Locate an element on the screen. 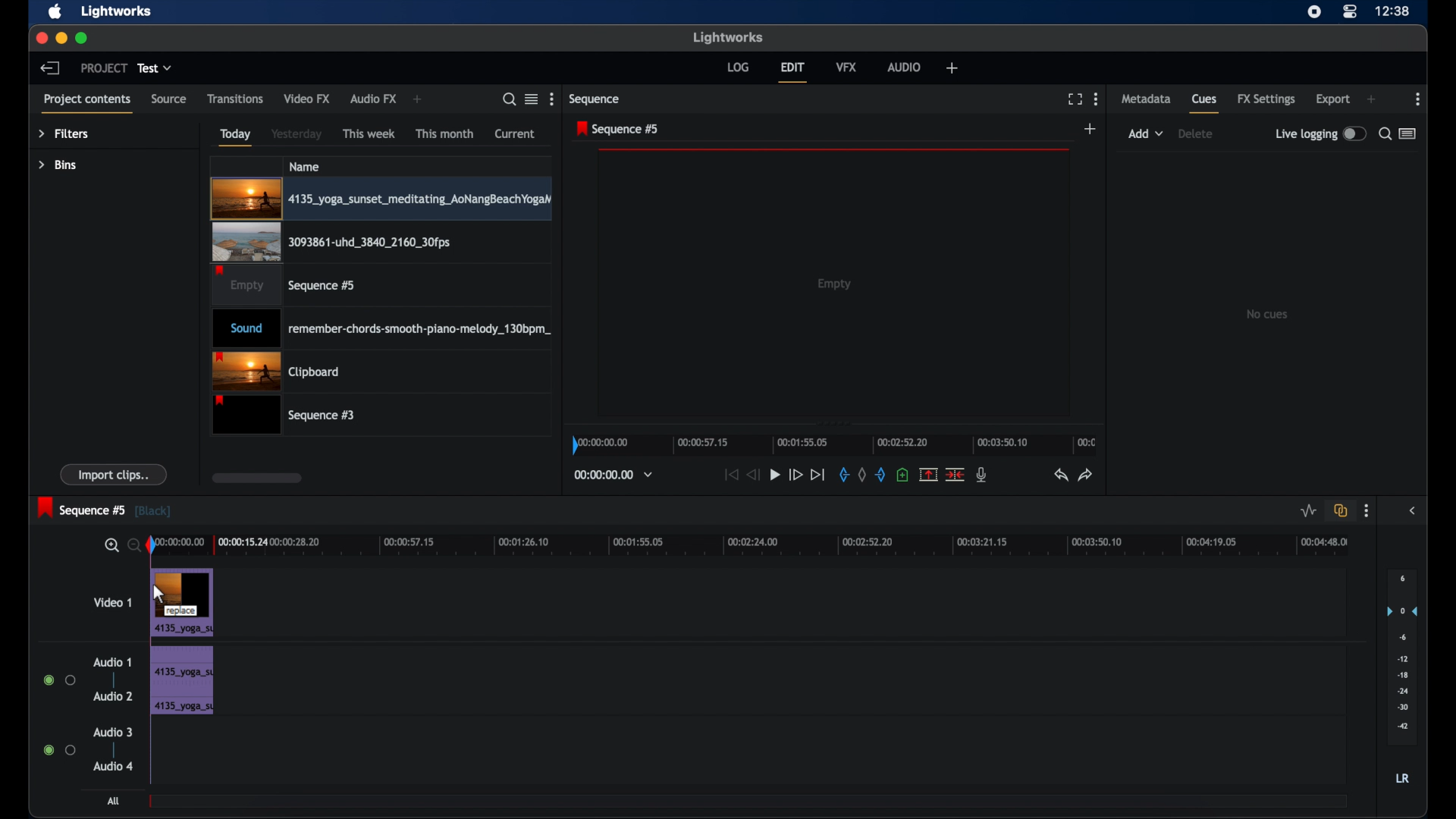 The height and width of the screenshot is (819, 1456). metadata is located at coordinates (1147, 99).